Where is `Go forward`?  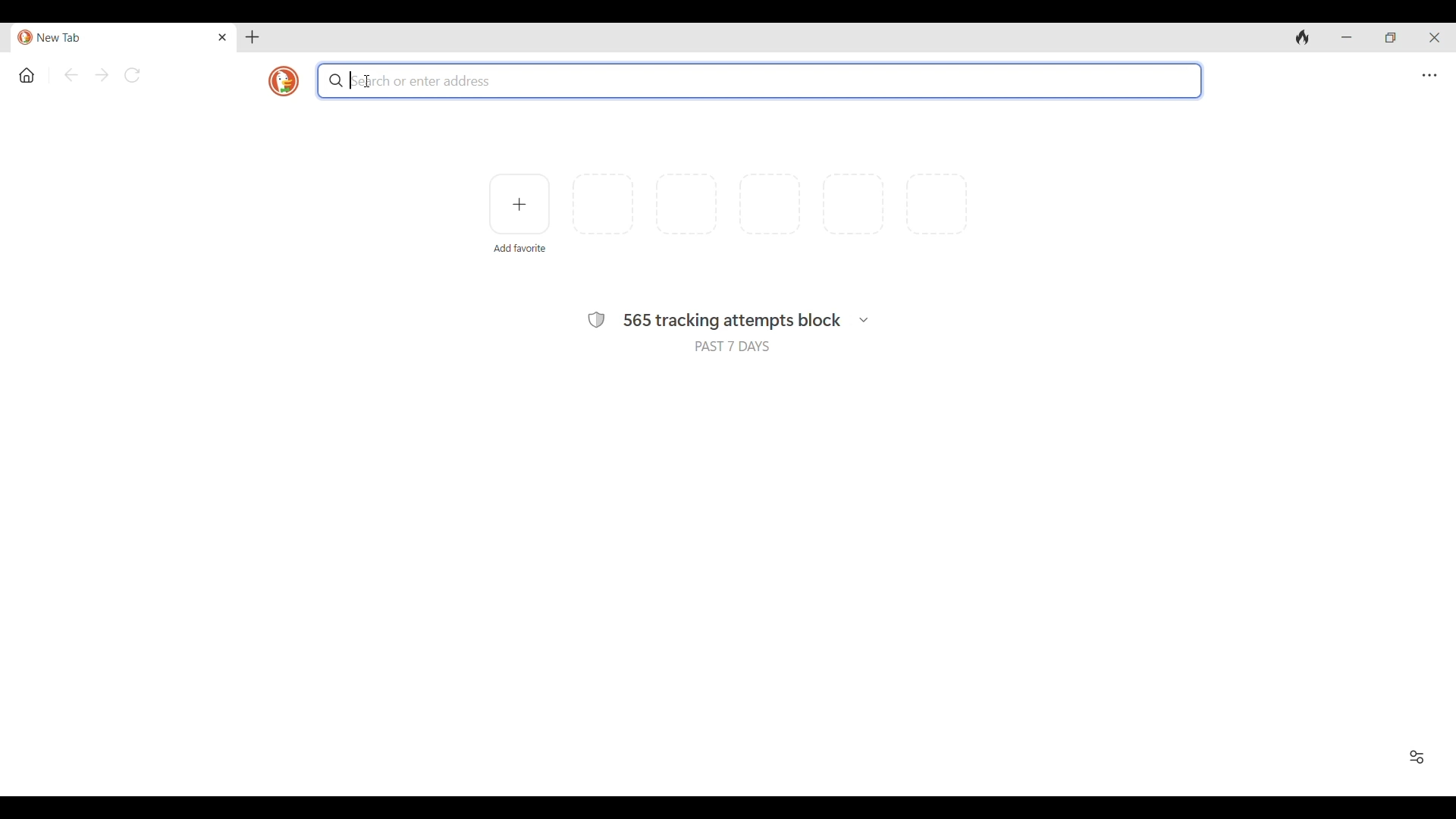
Go forward is located at coordinates (102, 75).